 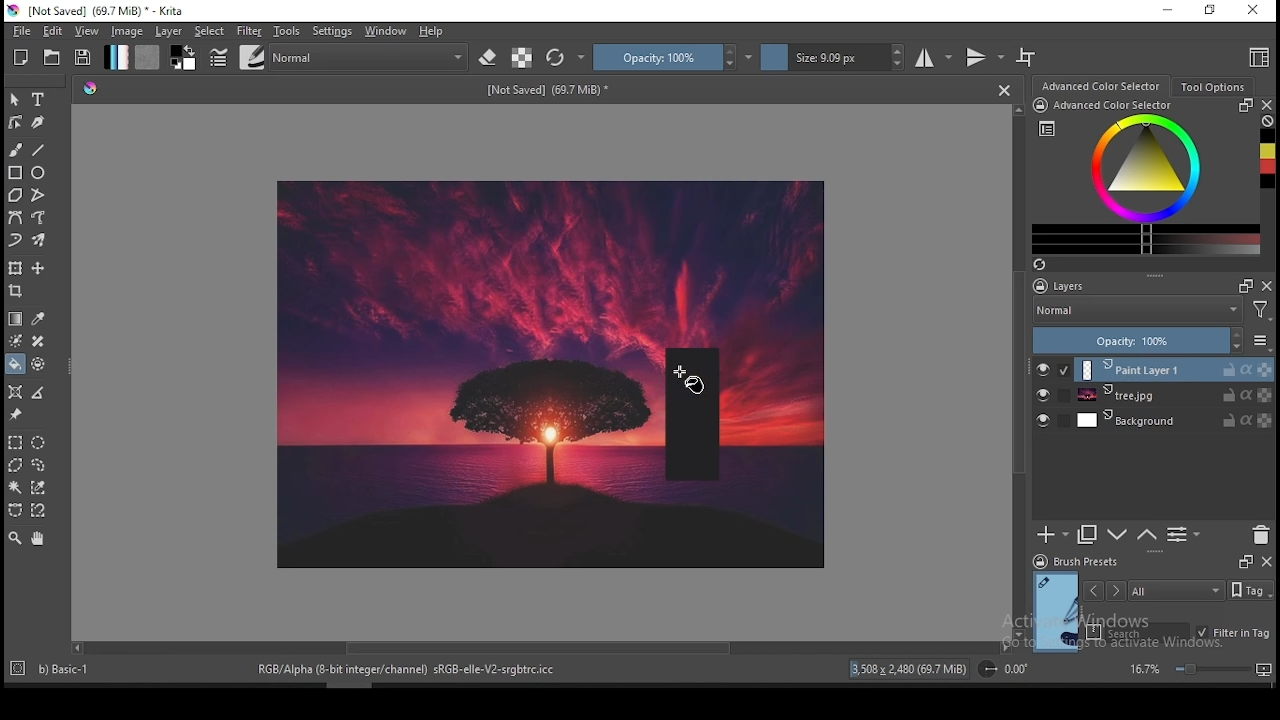 What do you see at coordinates (1175, 421) in the screenshot?
I see `layer` at bounding box center [1175, 421].